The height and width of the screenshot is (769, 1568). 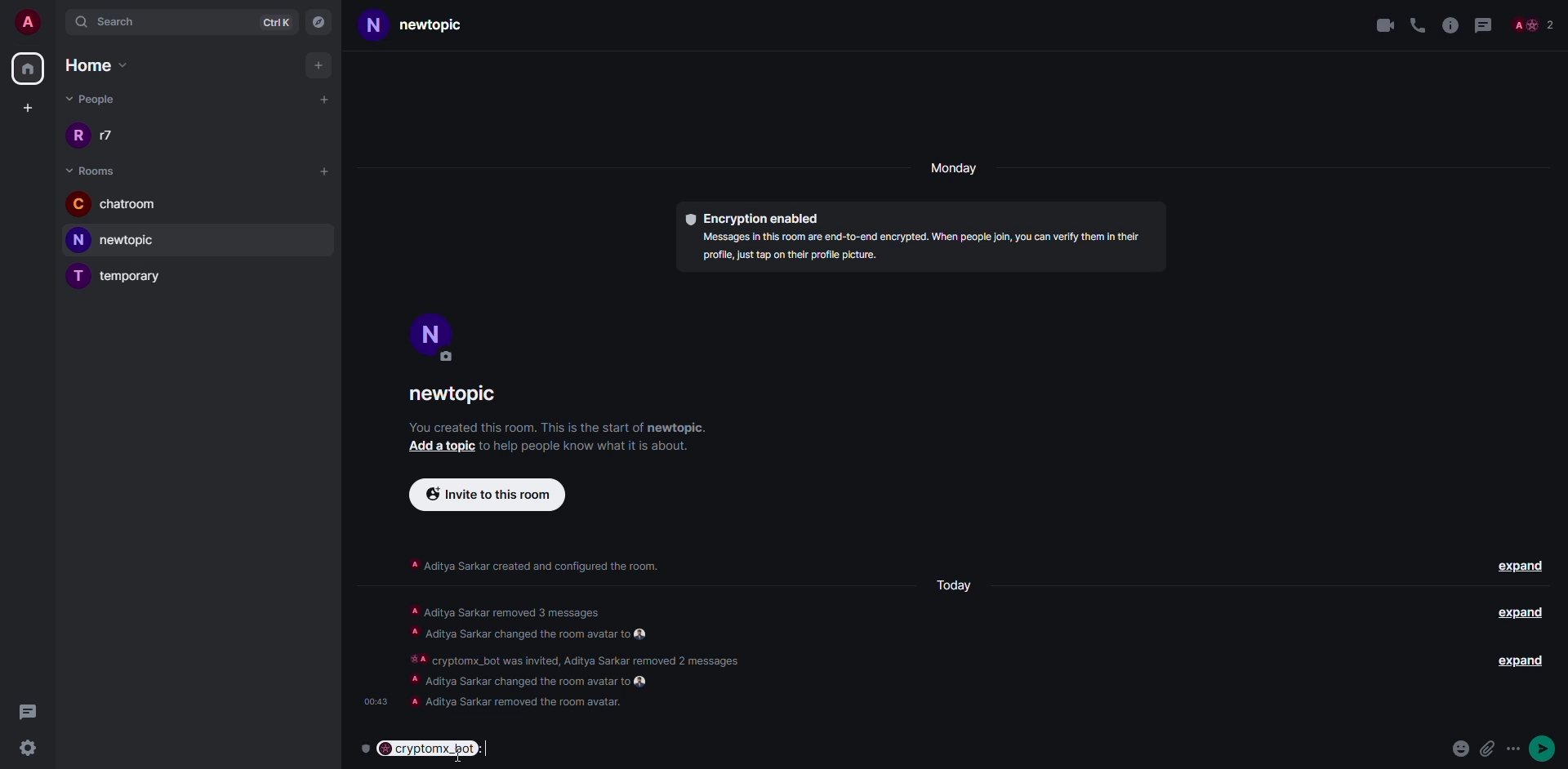 I want to click on Today, so click(x=952, y=585).